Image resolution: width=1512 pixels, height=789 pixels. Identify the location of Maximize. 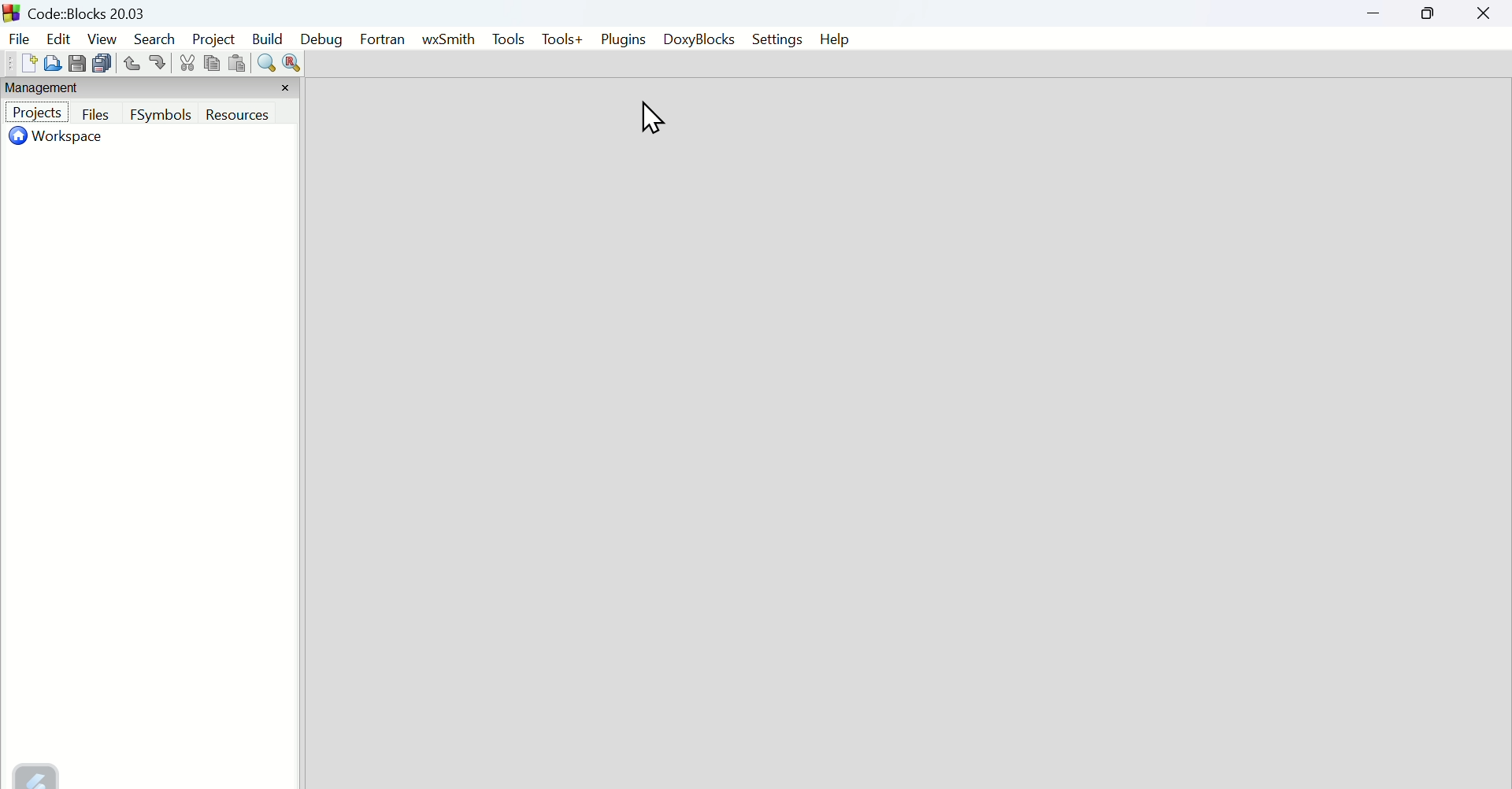
(1429, 13).